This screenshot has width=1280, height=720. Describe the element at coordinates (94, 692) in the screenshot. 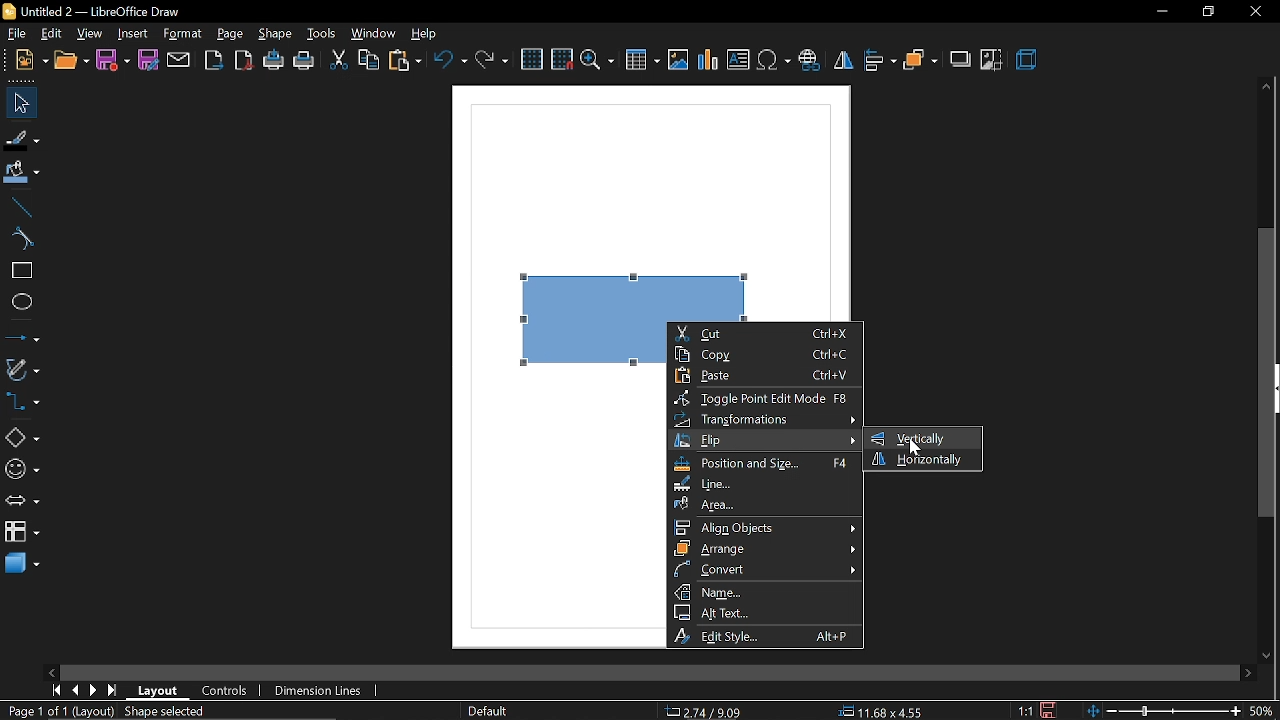

I see `next page` at that location.